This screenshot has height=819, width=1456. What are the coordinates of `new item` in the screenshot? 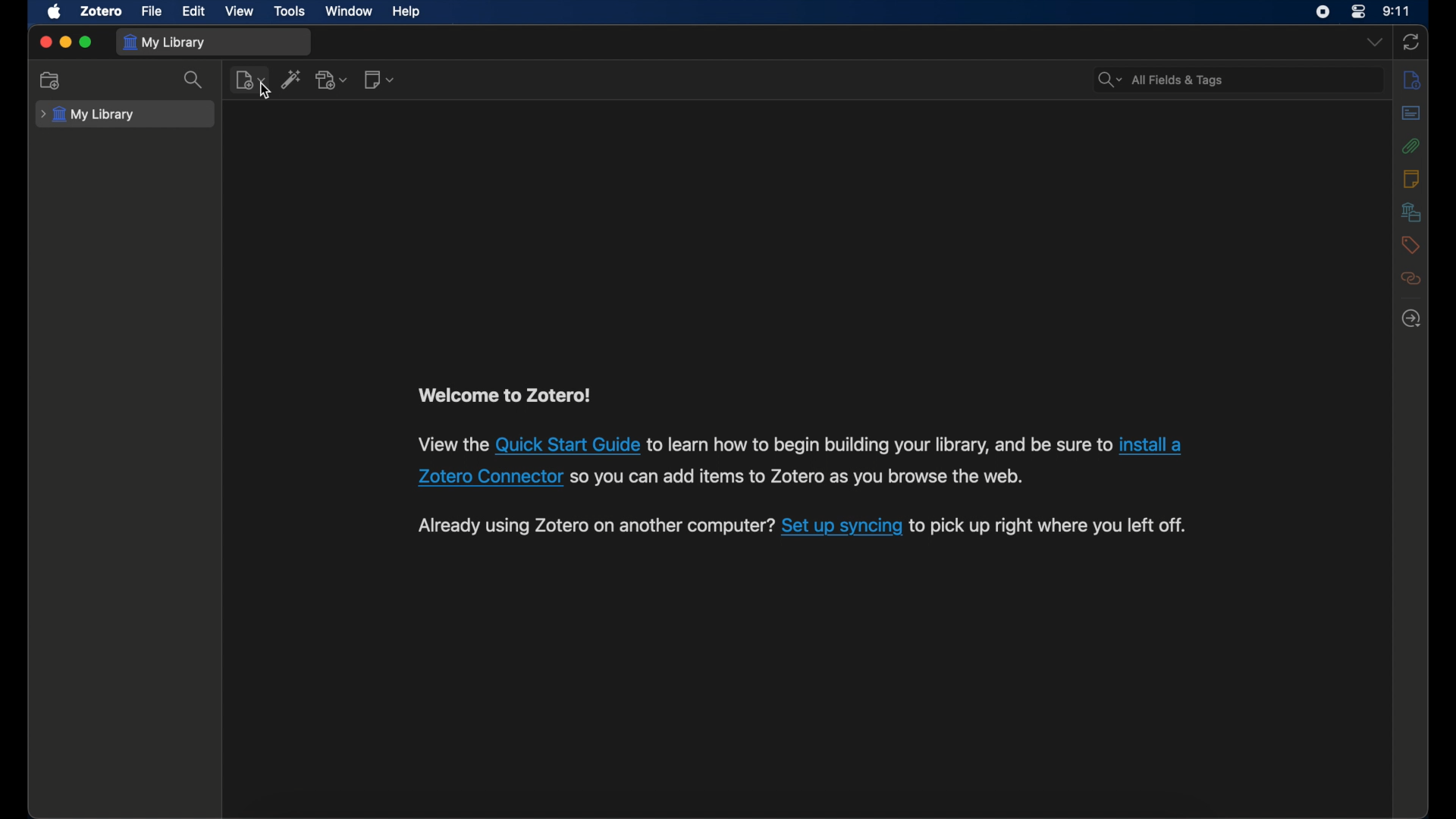 It's located at (250, 80).